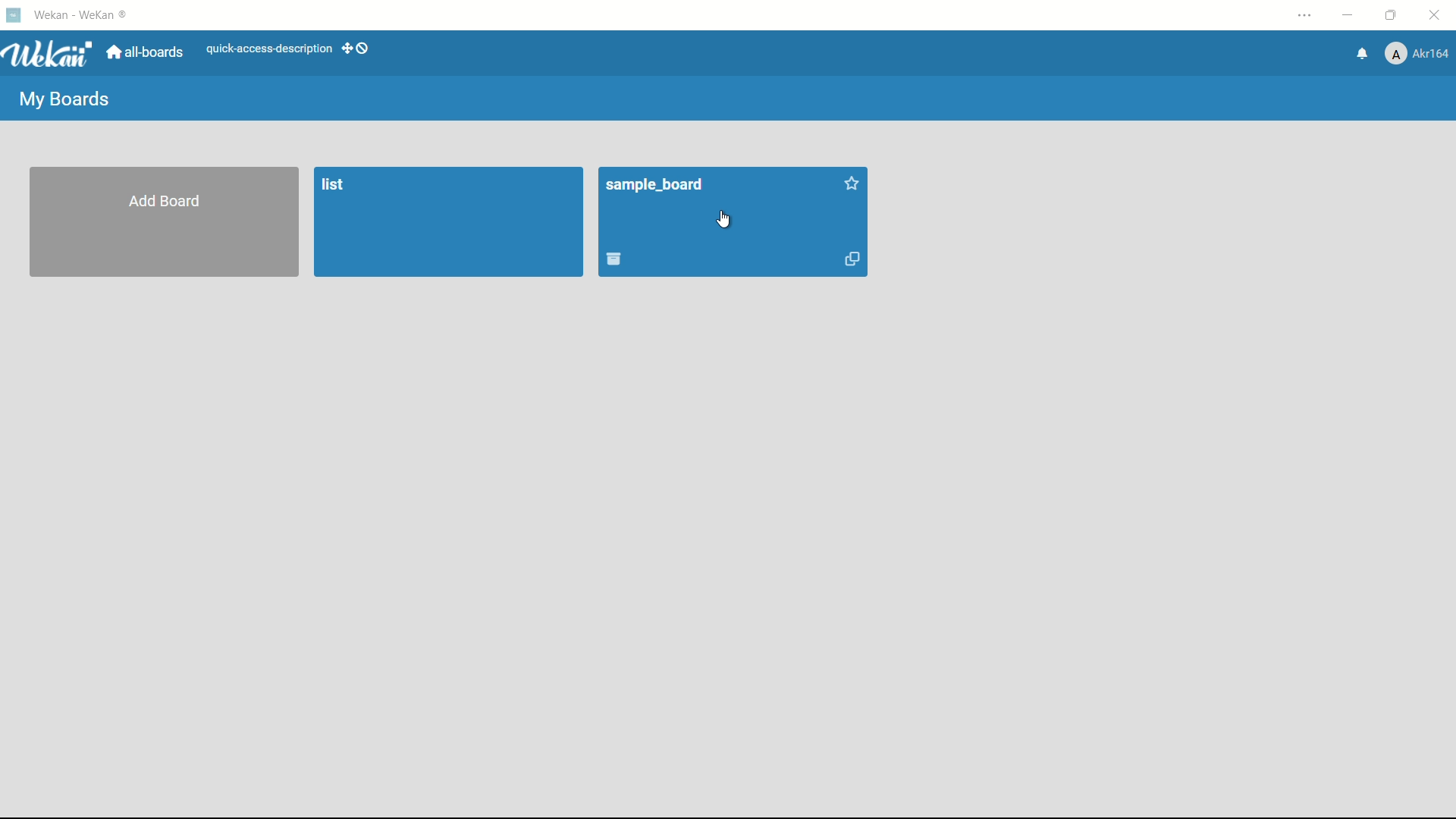 The image size is (1456, 819). What do you see at coordinates (334, 185) in the screenshot?
I see `list` at bounding box center [334, 185].